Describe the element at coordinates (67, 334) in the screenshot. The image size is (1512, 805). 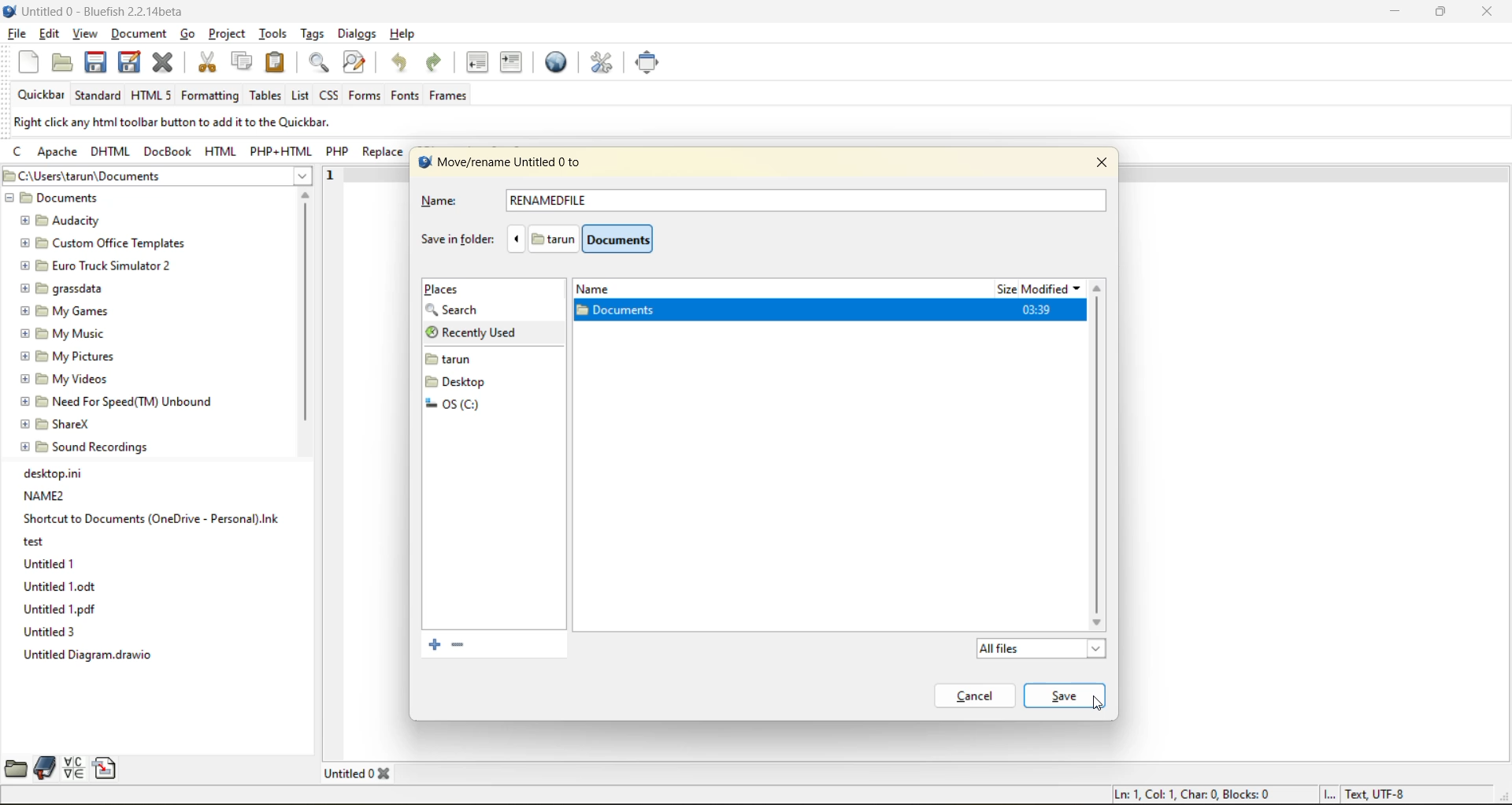
I see `My Music` at that location.